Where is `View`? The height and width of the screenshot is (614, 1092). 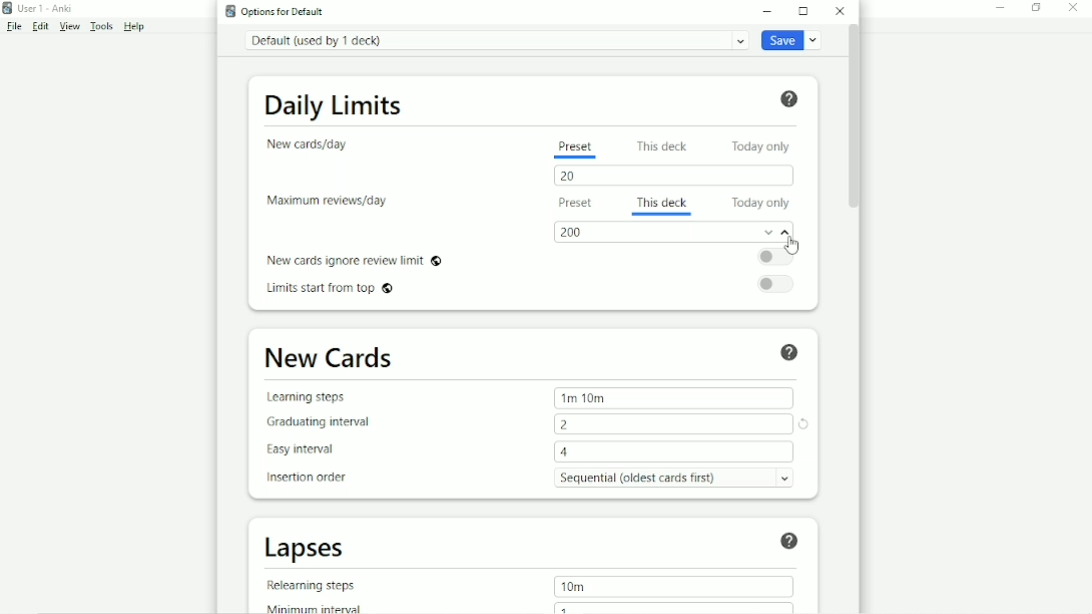 View is located at coordinates (70, 26).